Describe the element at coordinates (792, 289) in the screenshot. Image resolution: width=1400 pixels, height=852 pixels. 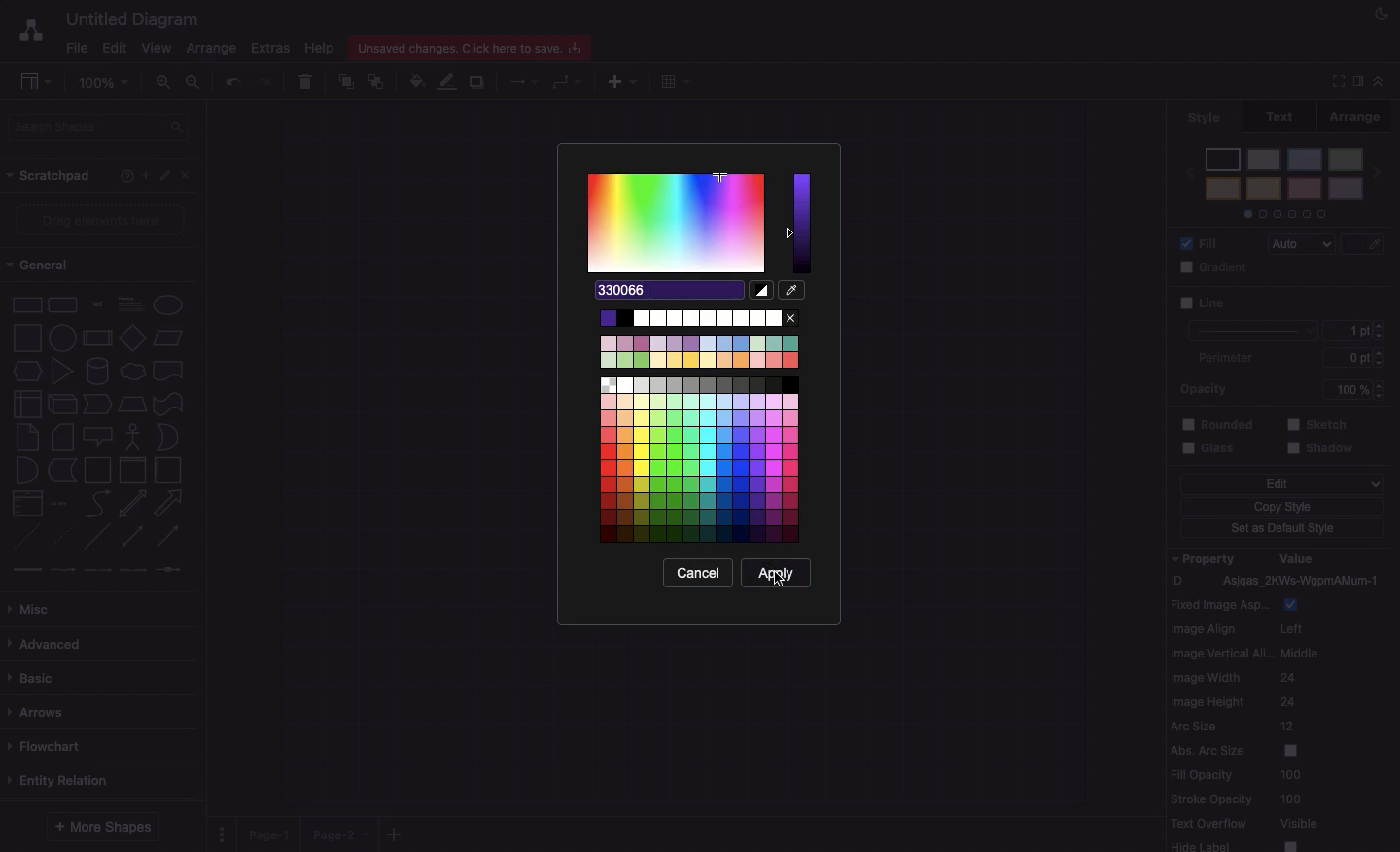
I see `Picker` at that location.